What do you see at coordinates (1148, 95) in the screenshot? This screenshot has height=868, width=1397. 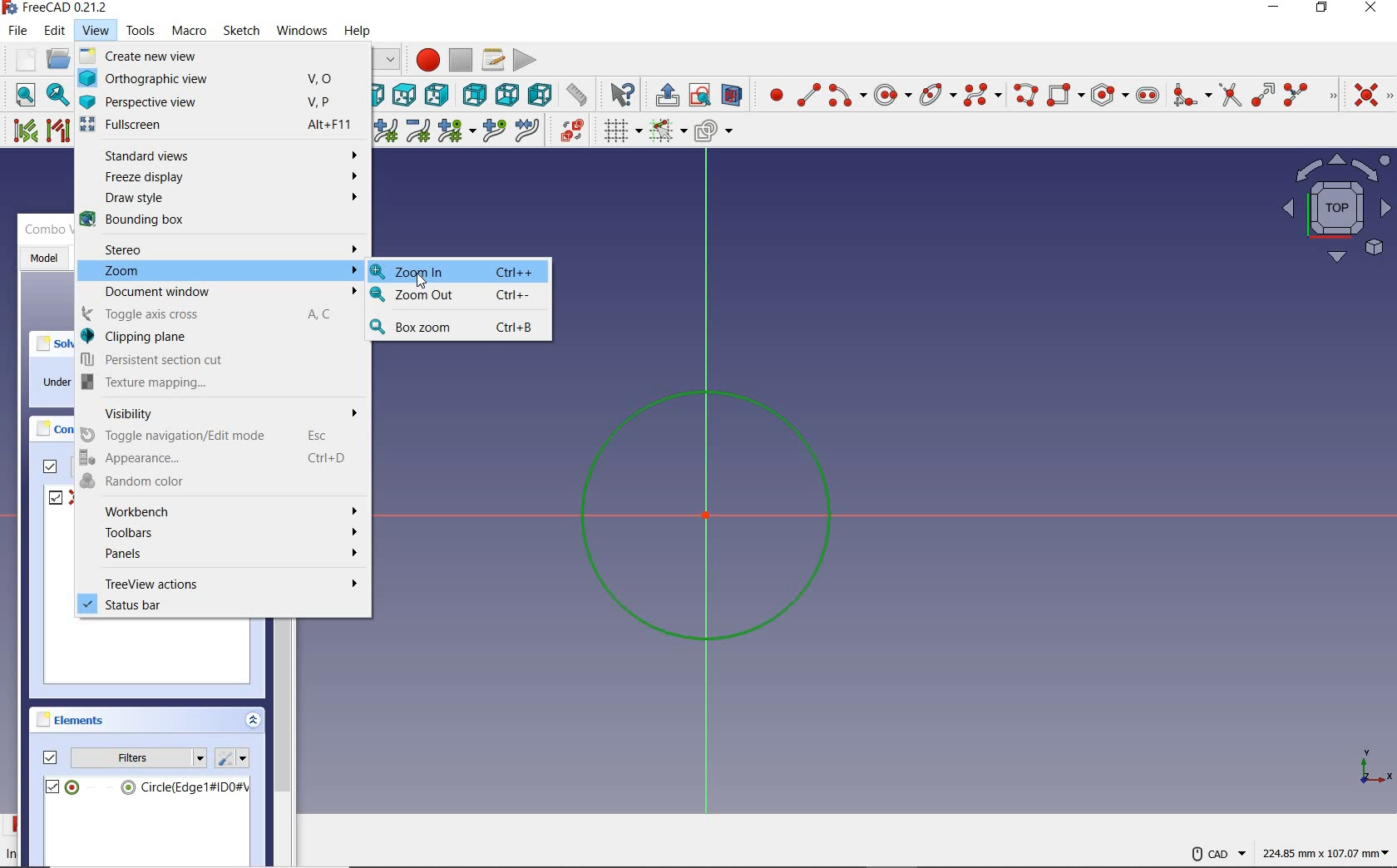 I see `create slot` at bounding box center [1148, 95].